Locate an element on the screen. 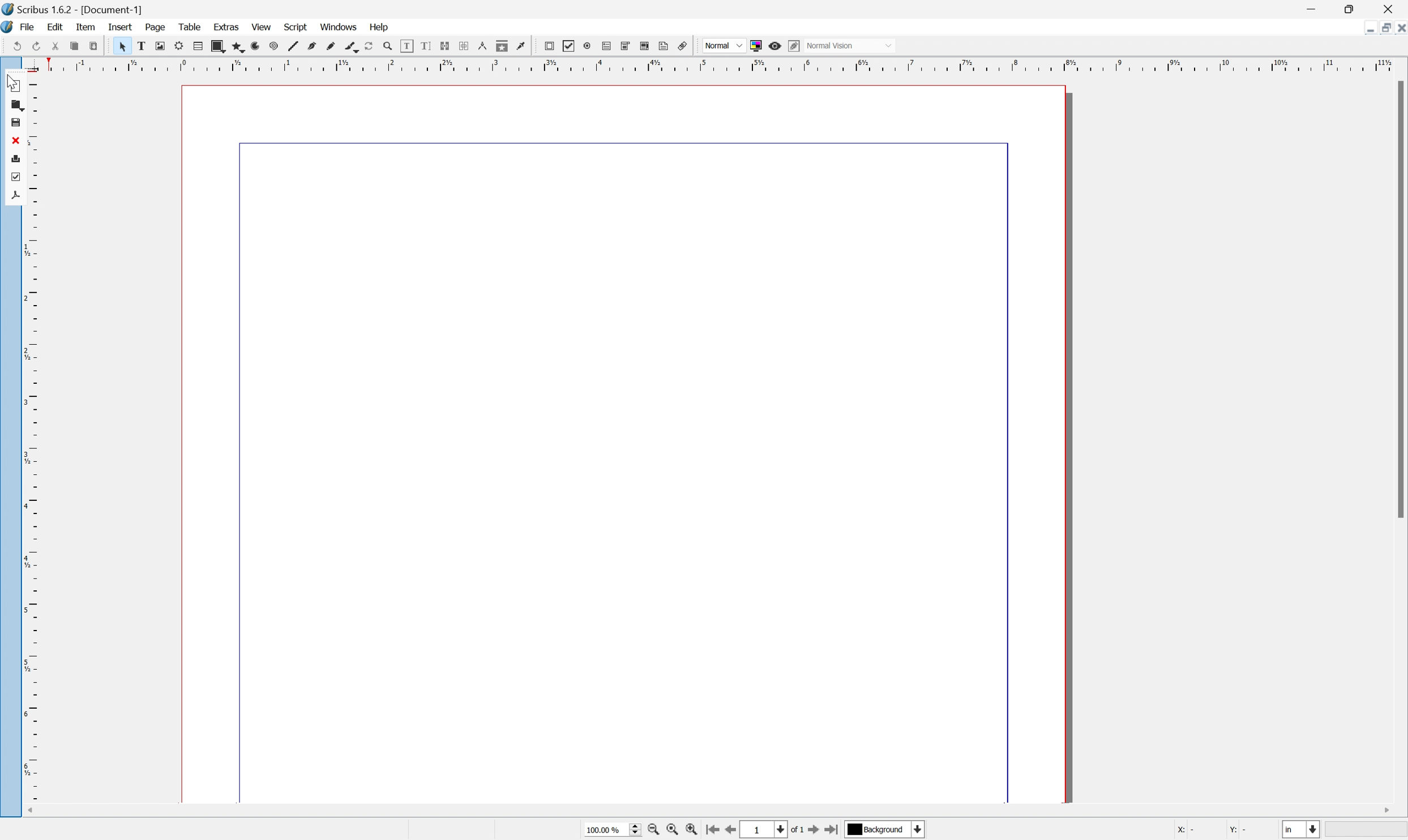 This screenshot has width=1408, height=840. copy is located at coordinates (218, 46).